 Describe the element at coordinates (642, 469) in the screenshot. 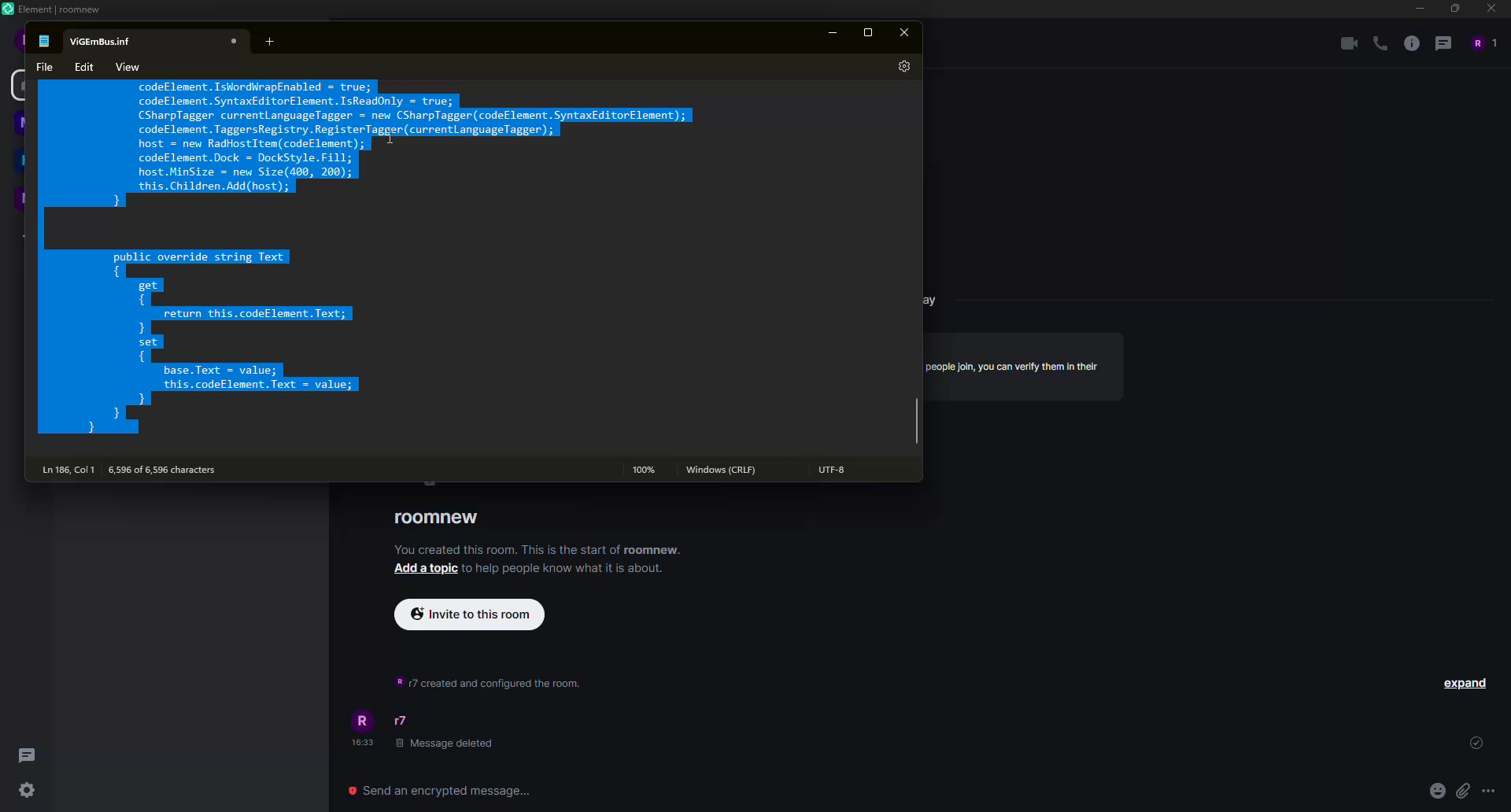

I see `100` at that location.